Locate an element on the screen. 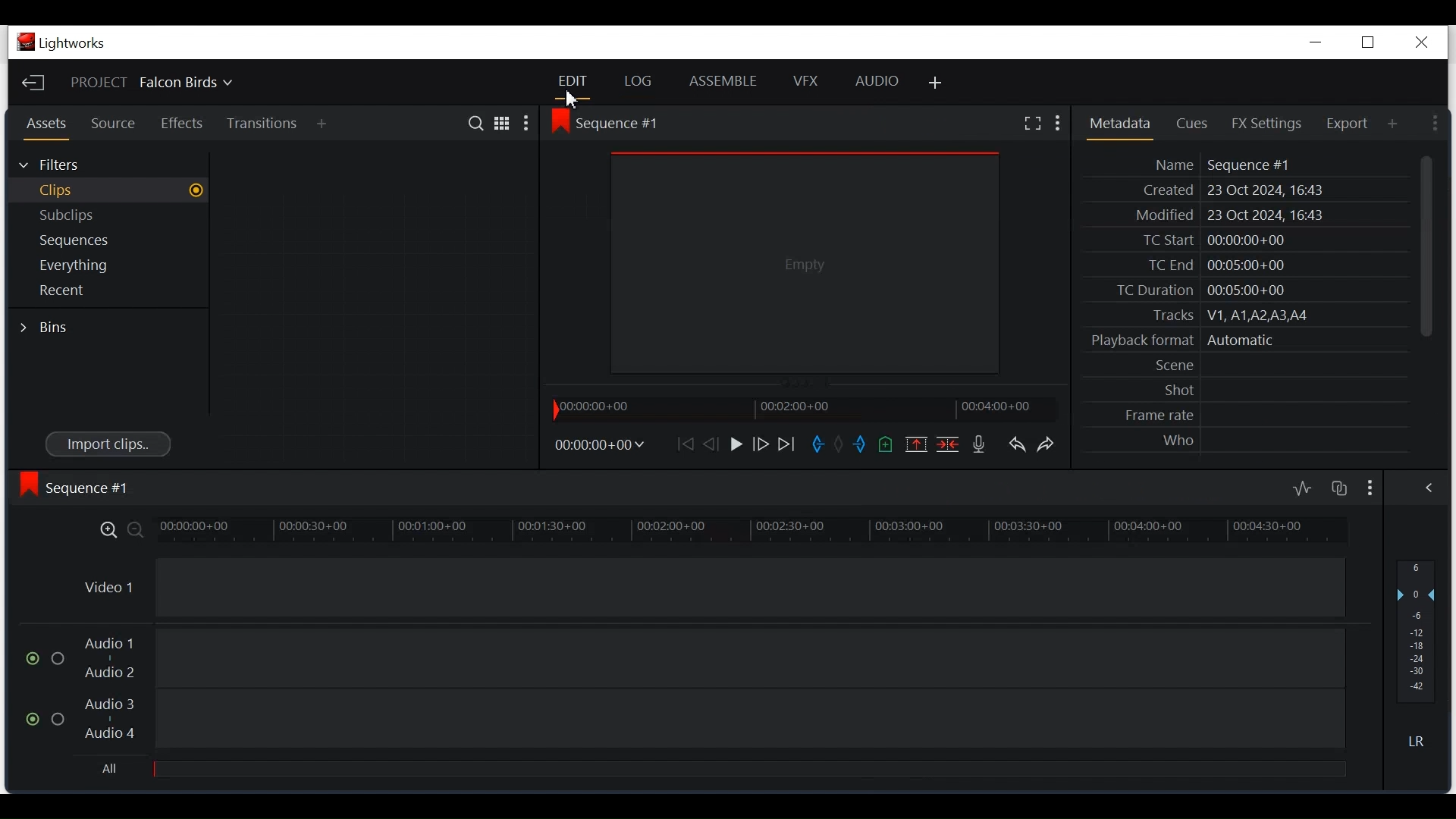 The image size is (1456, 819). FX Settings is located at coordinates (1273, 125).